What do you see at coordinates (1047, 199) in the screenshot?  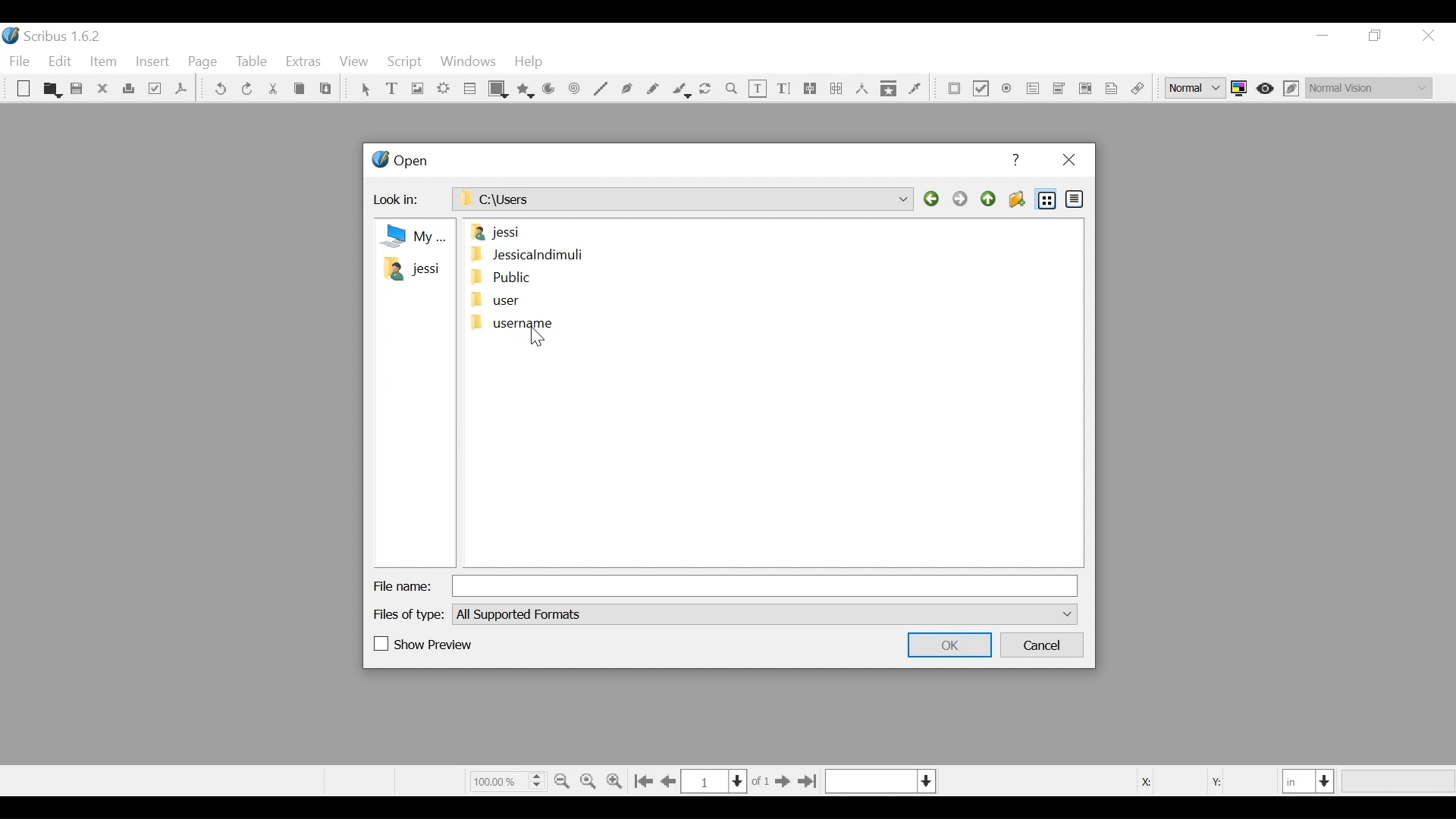 I see `List View` at bounding box center [1047, 199].